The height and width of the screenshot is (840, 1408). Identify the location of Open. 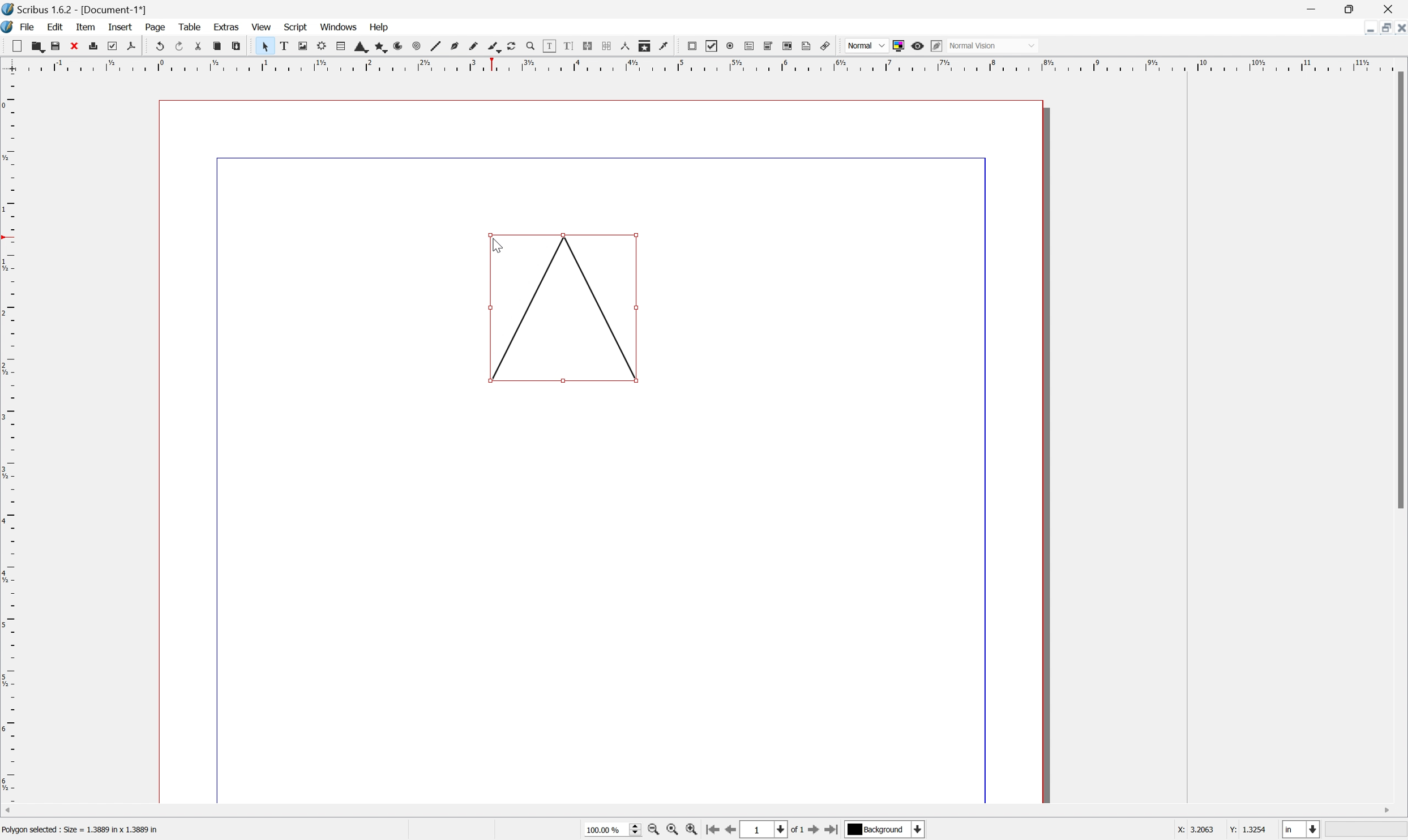
(35, 45).